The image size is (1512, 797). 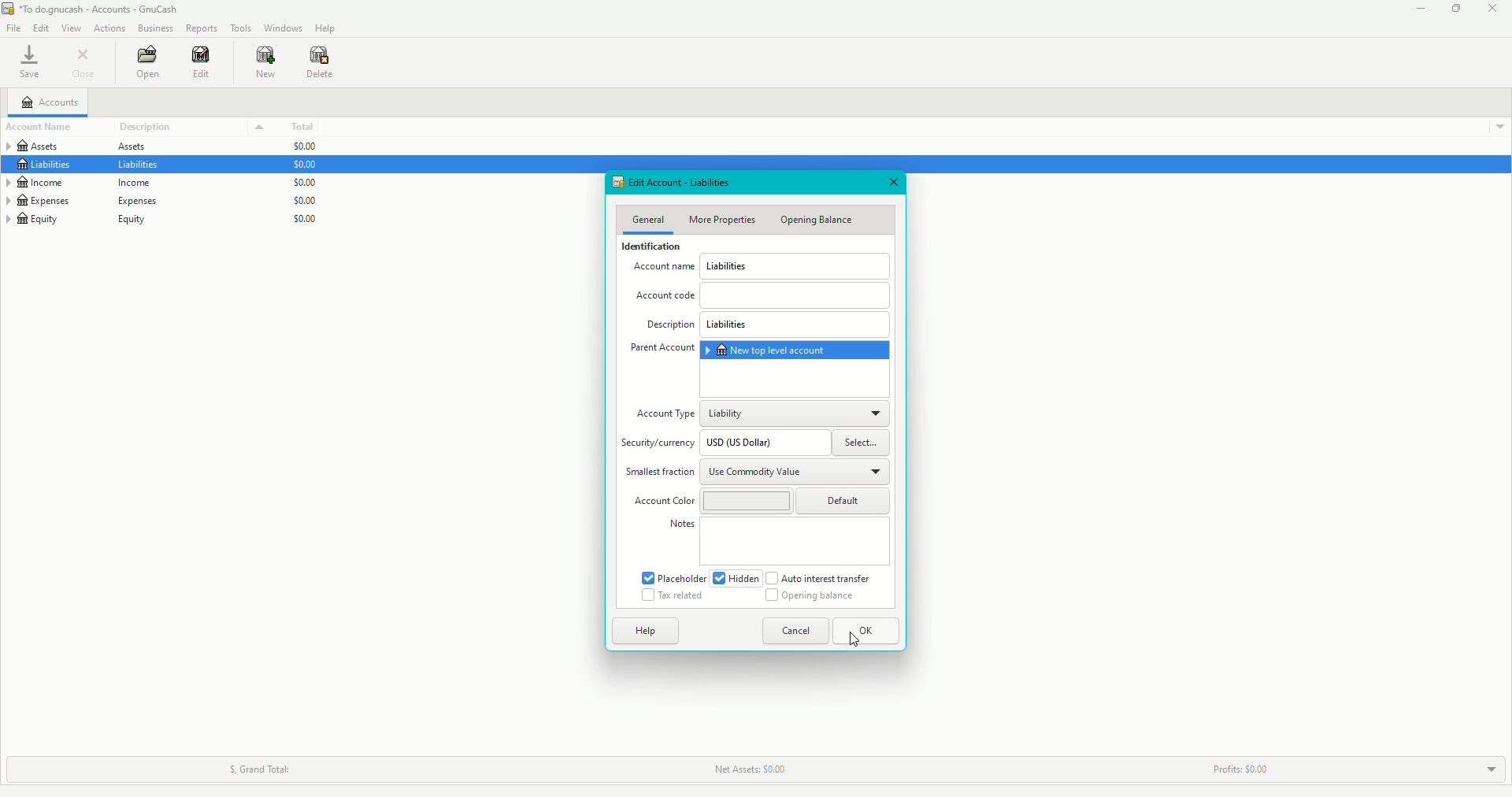 I want to click on Total, so click(x=298, y=126).